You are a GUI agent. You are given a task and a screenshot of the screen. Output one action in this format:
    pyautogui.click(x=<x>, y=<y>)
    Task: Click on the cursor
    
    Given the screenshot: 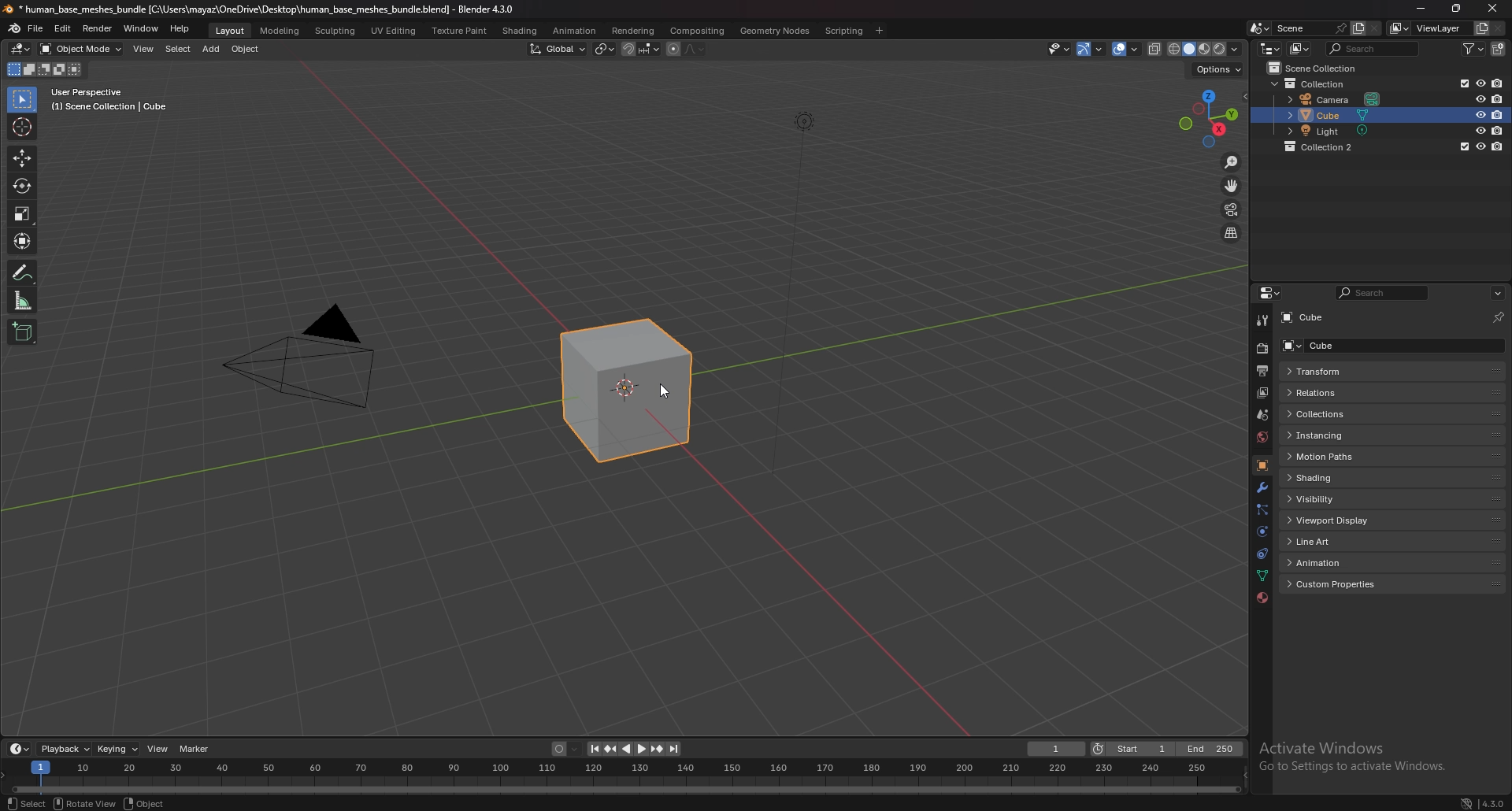 What is the action you would take?
    pyautogui.click(x=22, y=127)
    